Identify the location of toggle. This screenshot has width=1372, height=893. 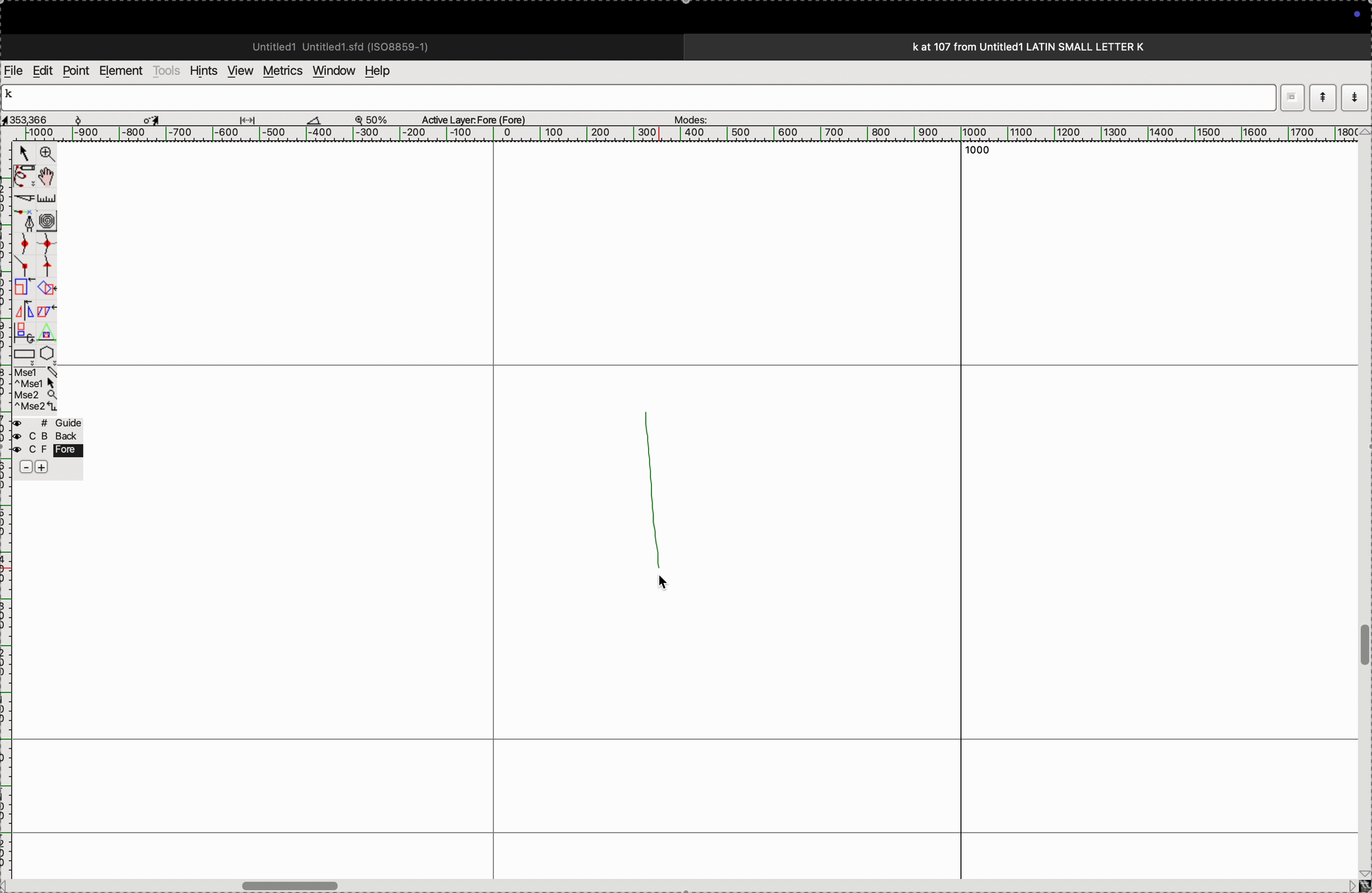
(50, 176).